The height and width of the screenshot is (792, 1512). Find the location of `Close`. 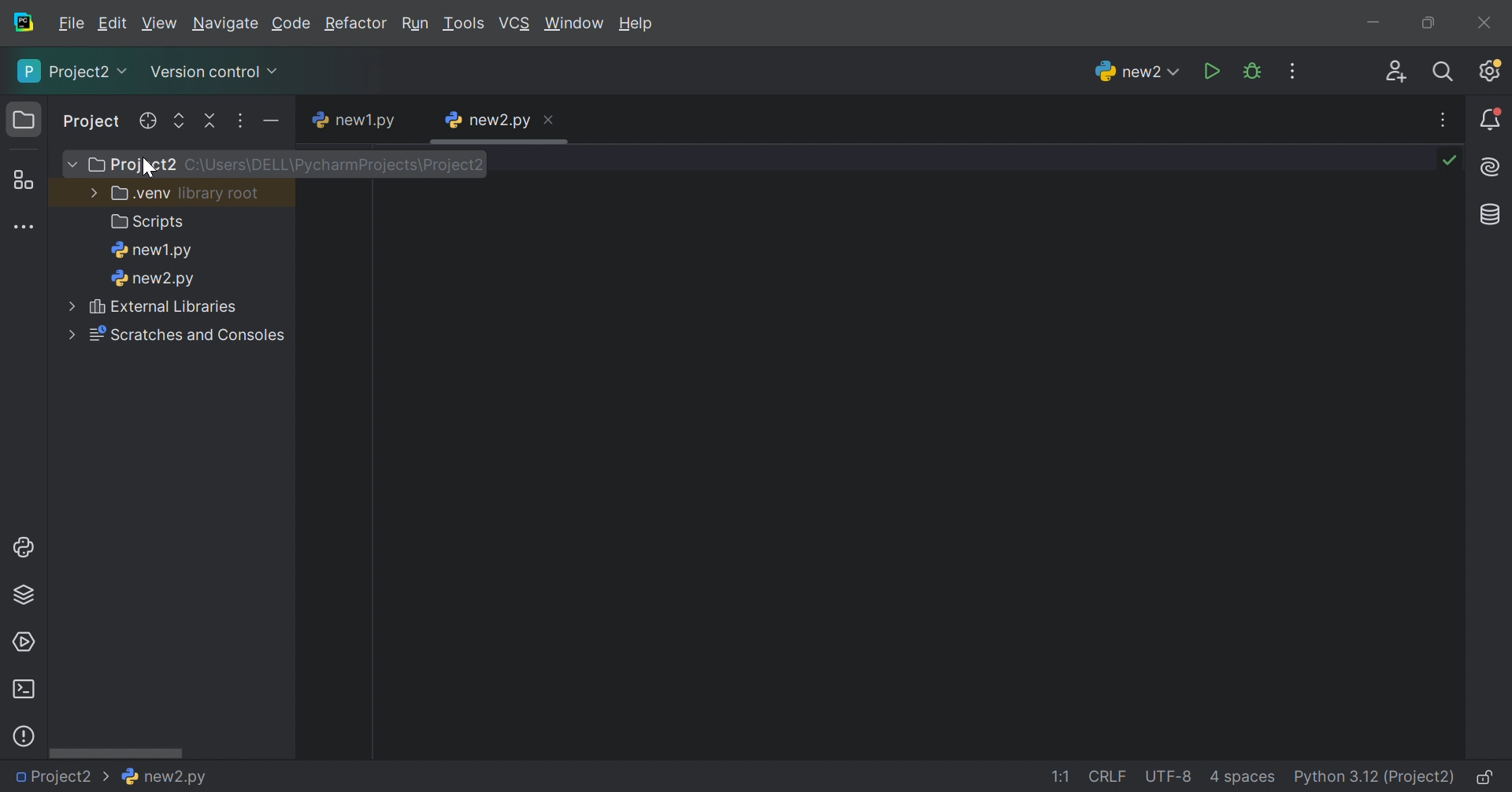

Close is located at coordinates (550, 121).